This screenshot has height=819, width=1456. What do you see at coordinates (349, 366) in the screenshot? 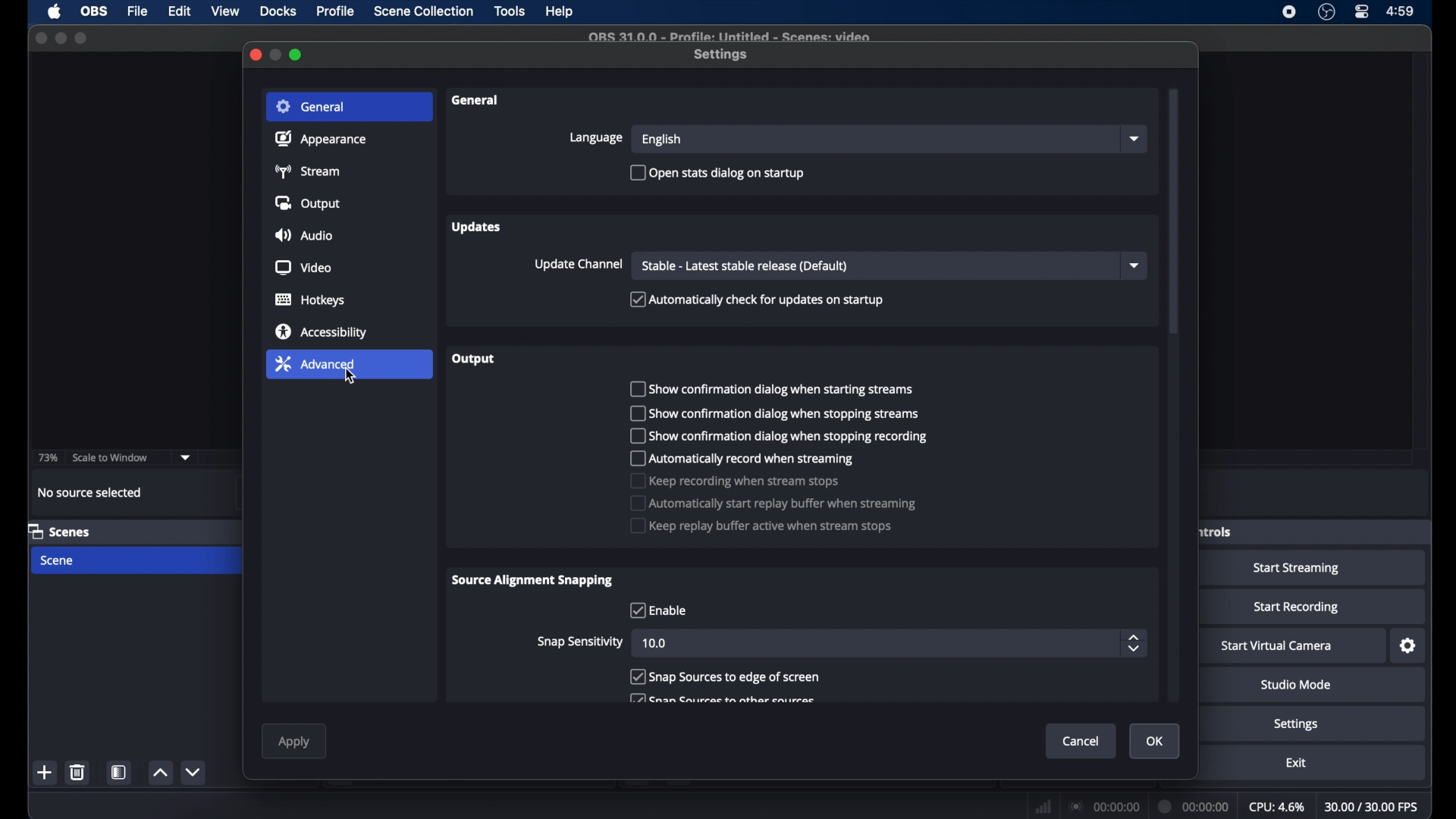
I see `advanced` at bounding box center [349, 366].